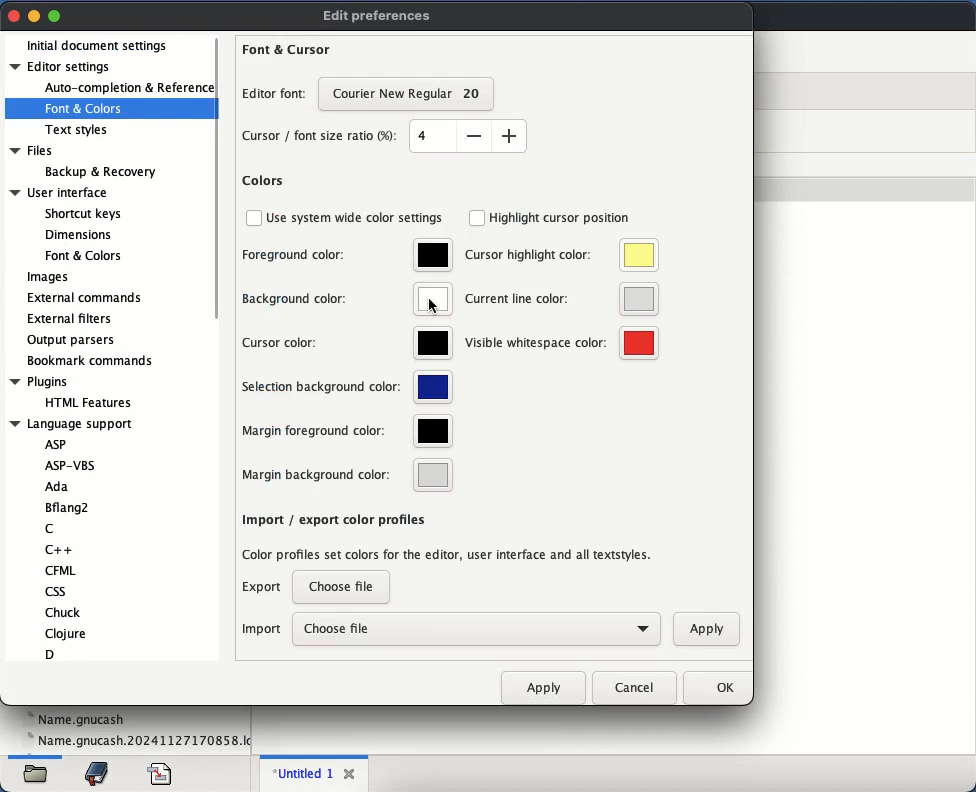  I want to click on D, so click(54, 655).